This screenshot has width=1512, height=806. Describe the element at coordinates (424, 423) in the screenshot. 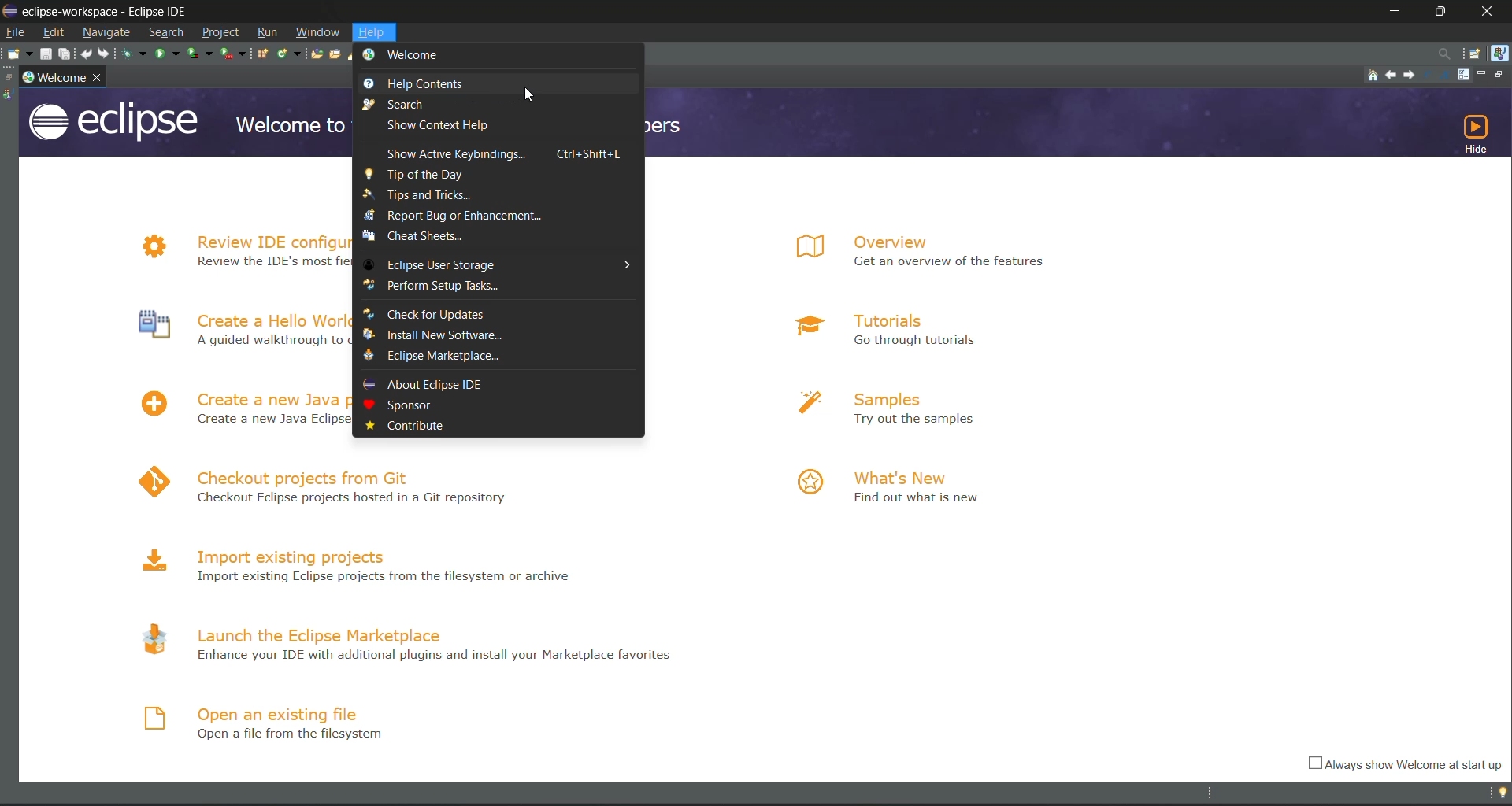

I see `contribute` at that location.